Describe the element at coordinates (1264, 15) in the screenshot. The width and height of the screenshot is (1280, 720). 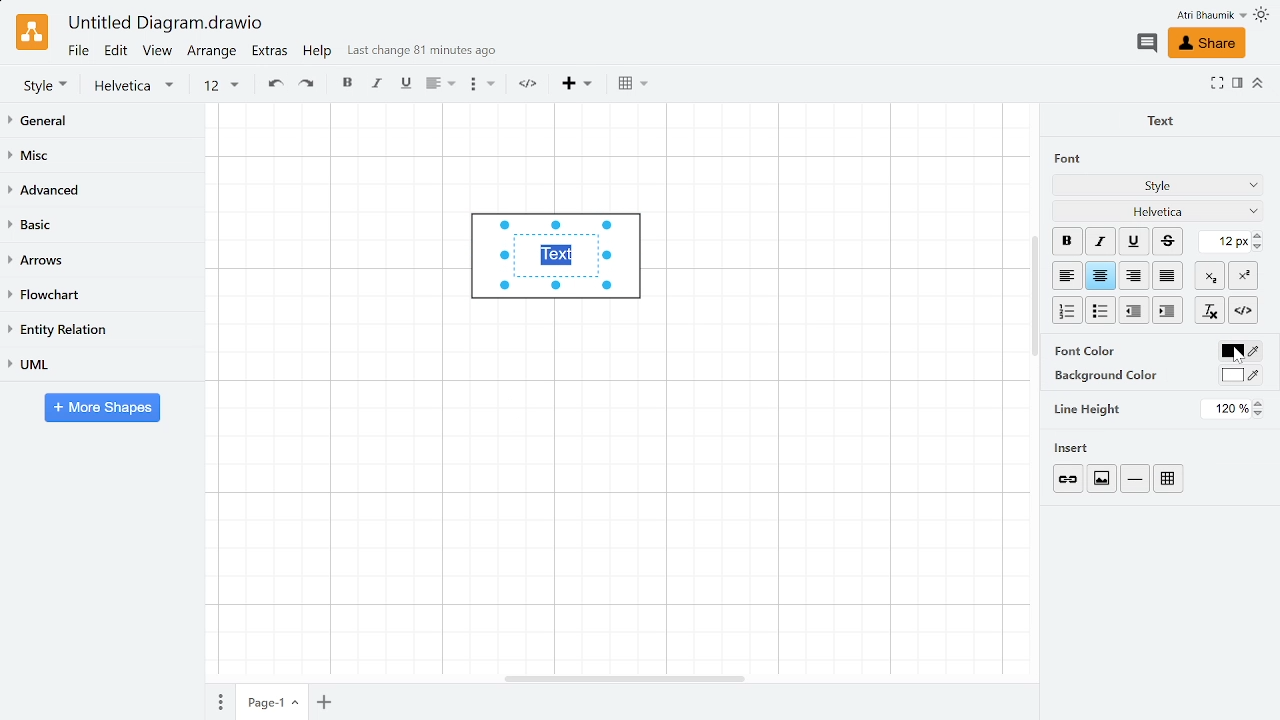
I see `Theme` at that location.